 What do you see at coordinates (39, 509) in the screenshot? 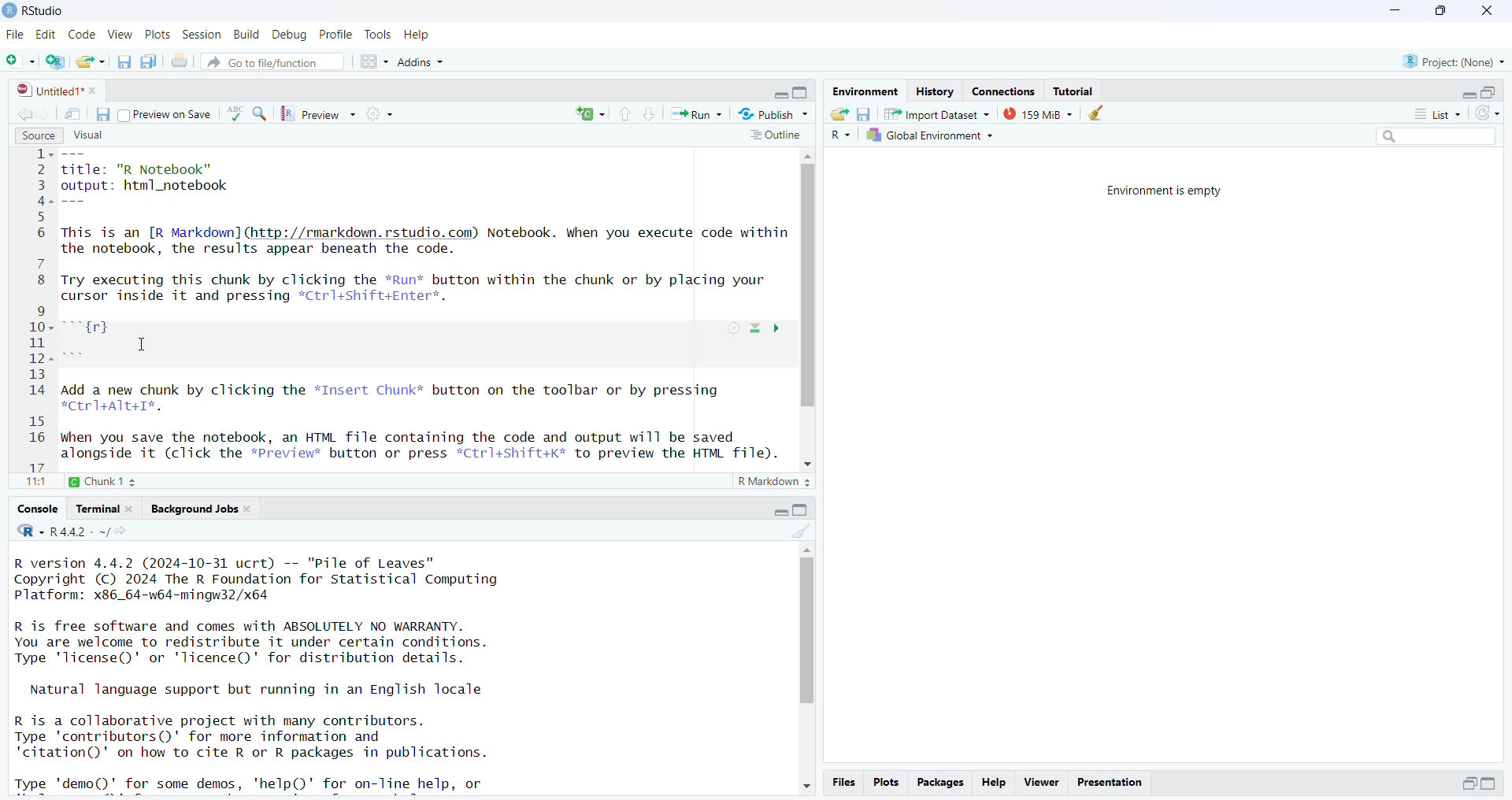
I see `console` at bounding box center [39, 509].